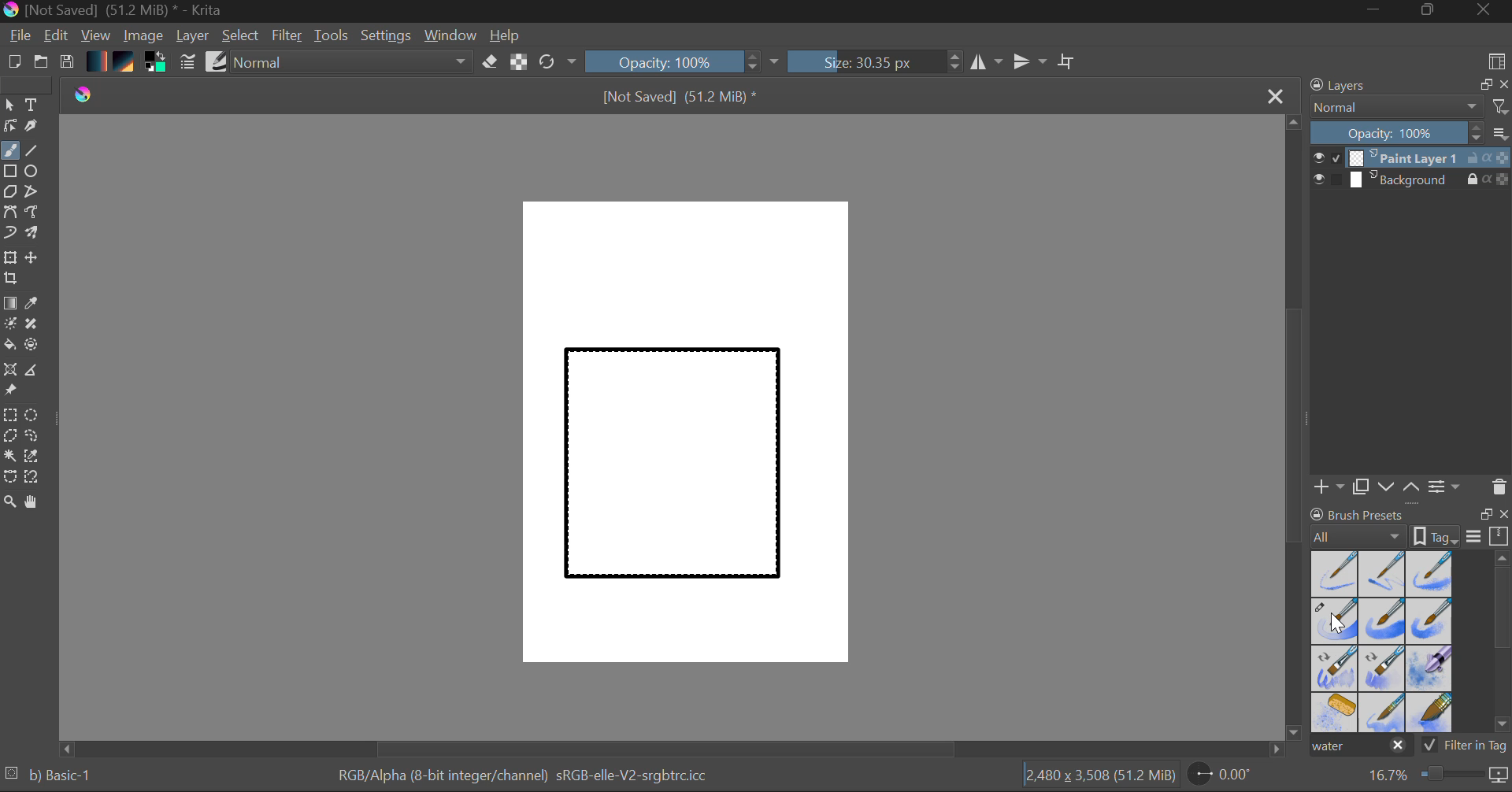 The height and width of the screenshot is (792, 1512). Describe the element at coordinates (35, 416) in the screenshot. I see `Elipses Selection tool` at that location.